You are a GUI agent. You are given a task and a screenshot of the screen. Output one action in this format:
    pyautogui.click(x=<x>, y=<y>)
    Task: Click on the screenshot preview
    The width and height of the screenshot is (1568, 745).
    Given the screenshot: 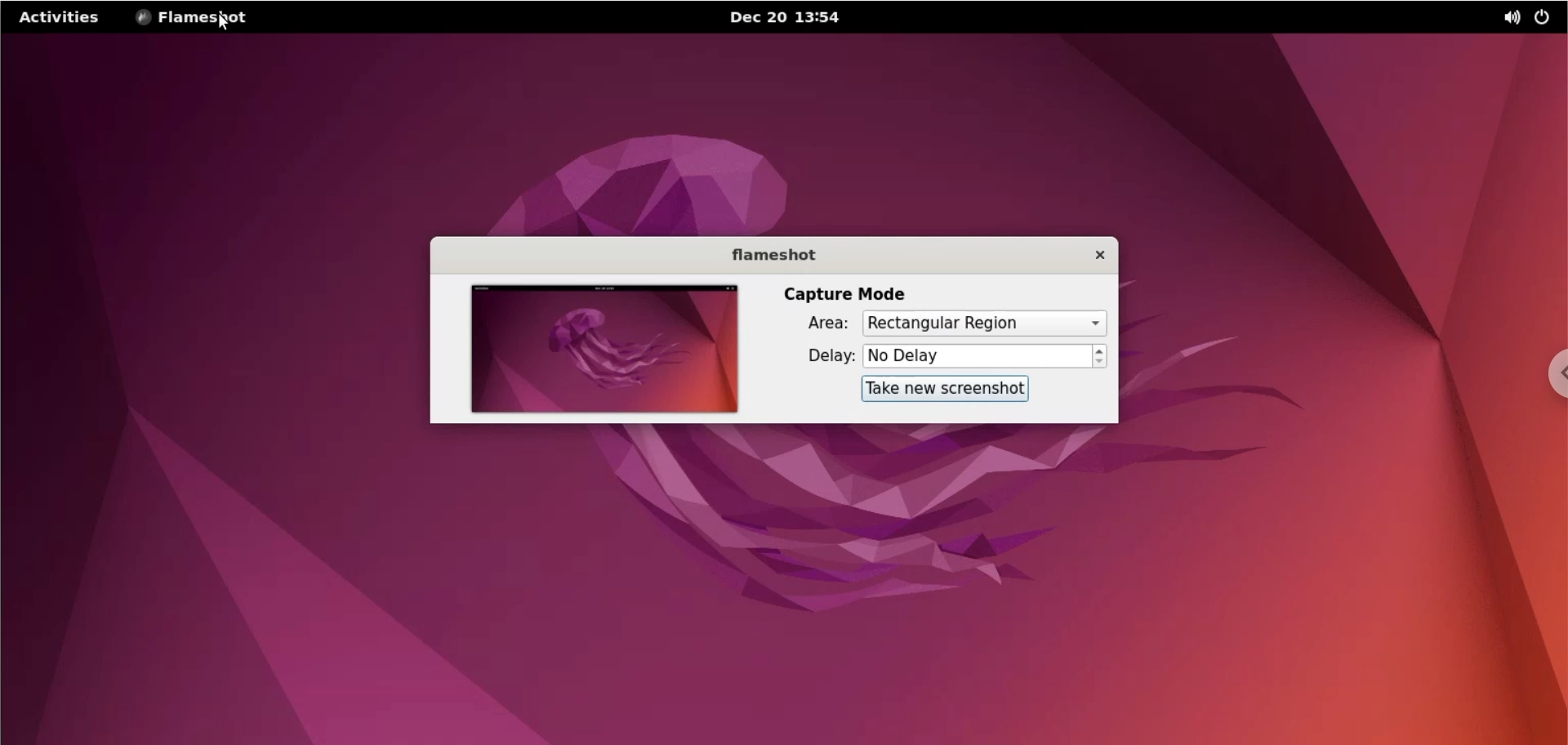 What is the action you would take?
    pyautogui.click(x=596, y=349)
    